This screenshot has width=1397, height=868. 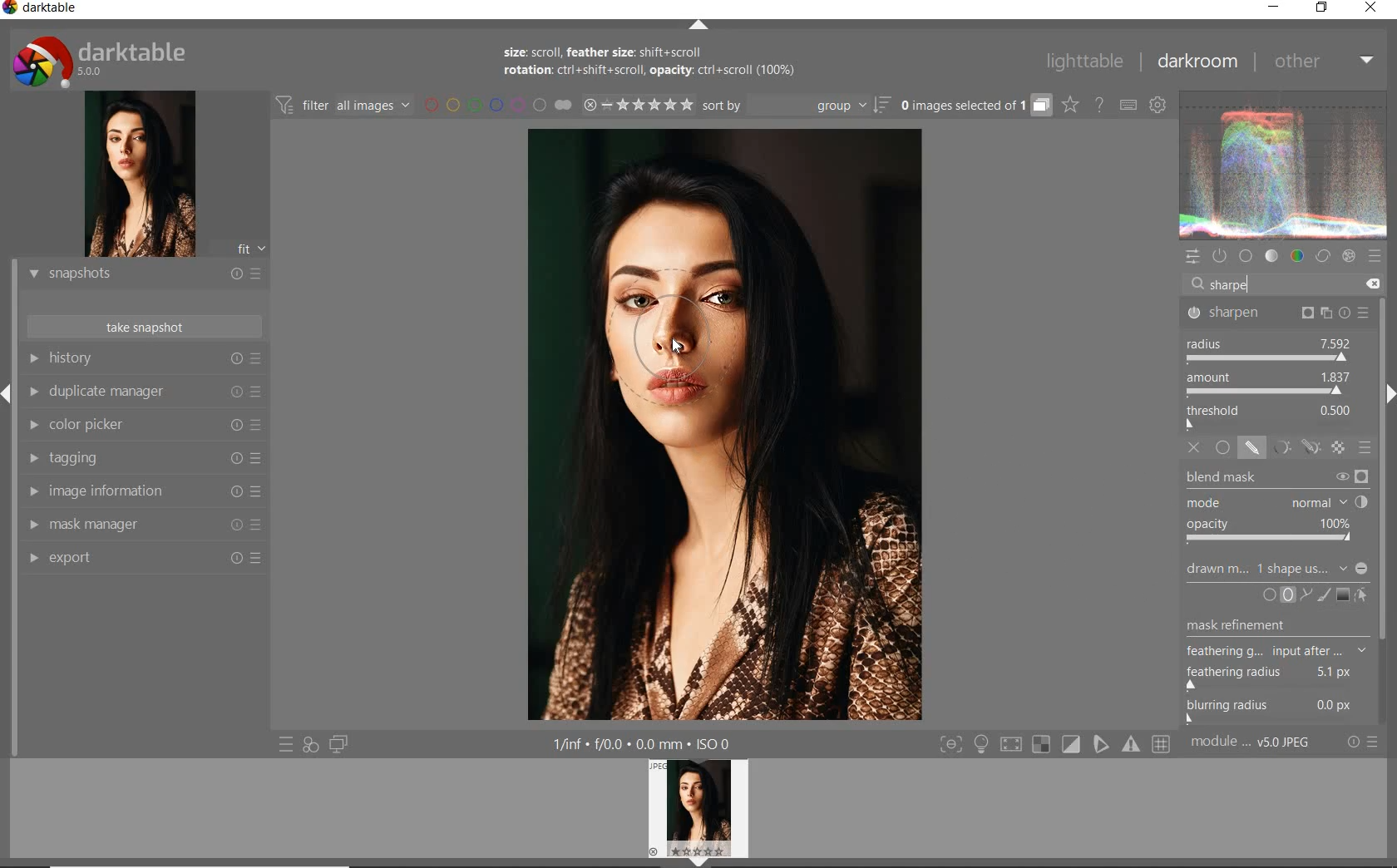 What do you see at coordinates (143, 525) in the screenshot?
I see `MAASK MANAGER` at bounding box center [143, 525].